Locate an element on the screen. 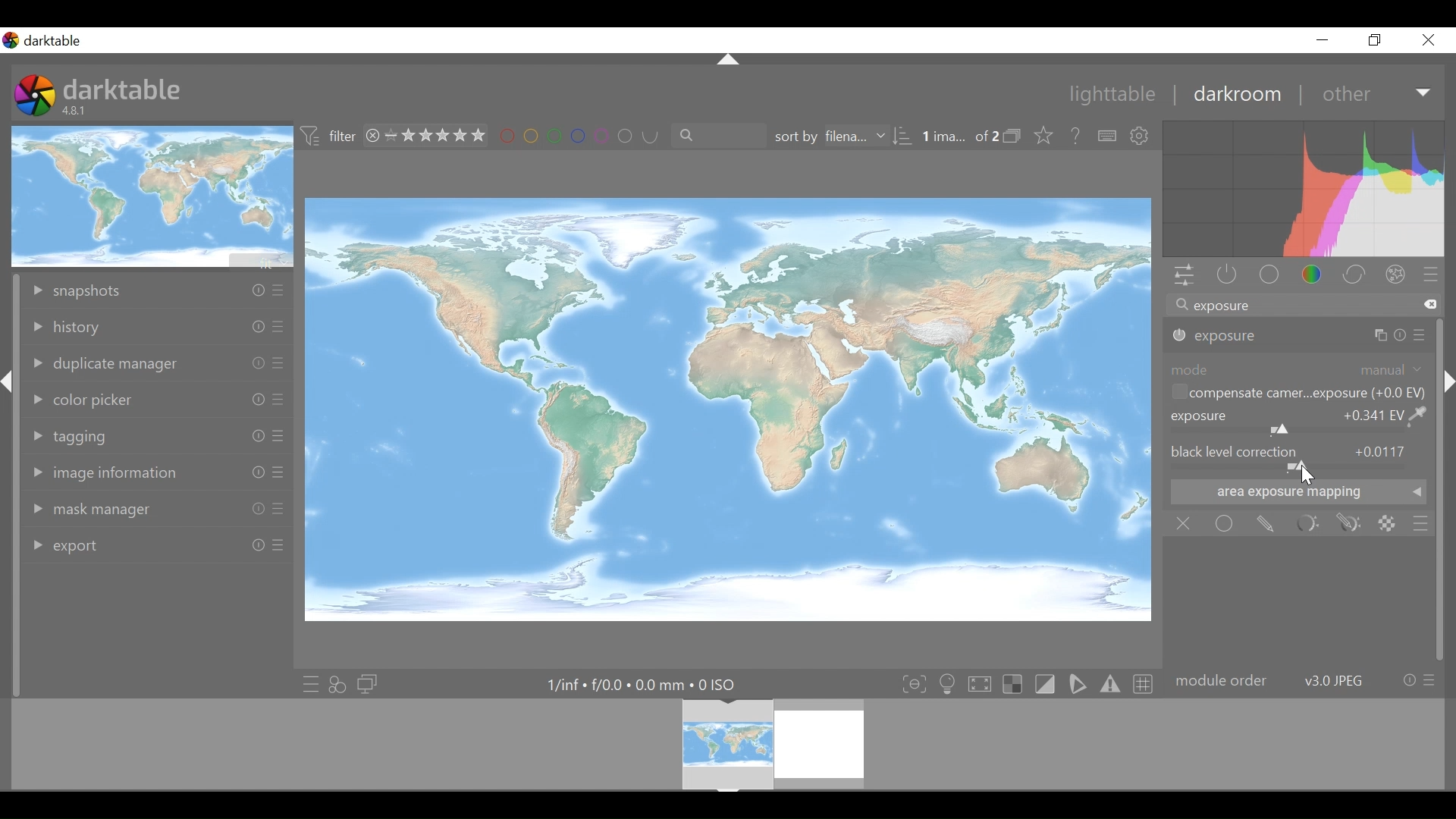 This screenshot has height=819, width=1456. mode is located at coordinates (1189, 369).